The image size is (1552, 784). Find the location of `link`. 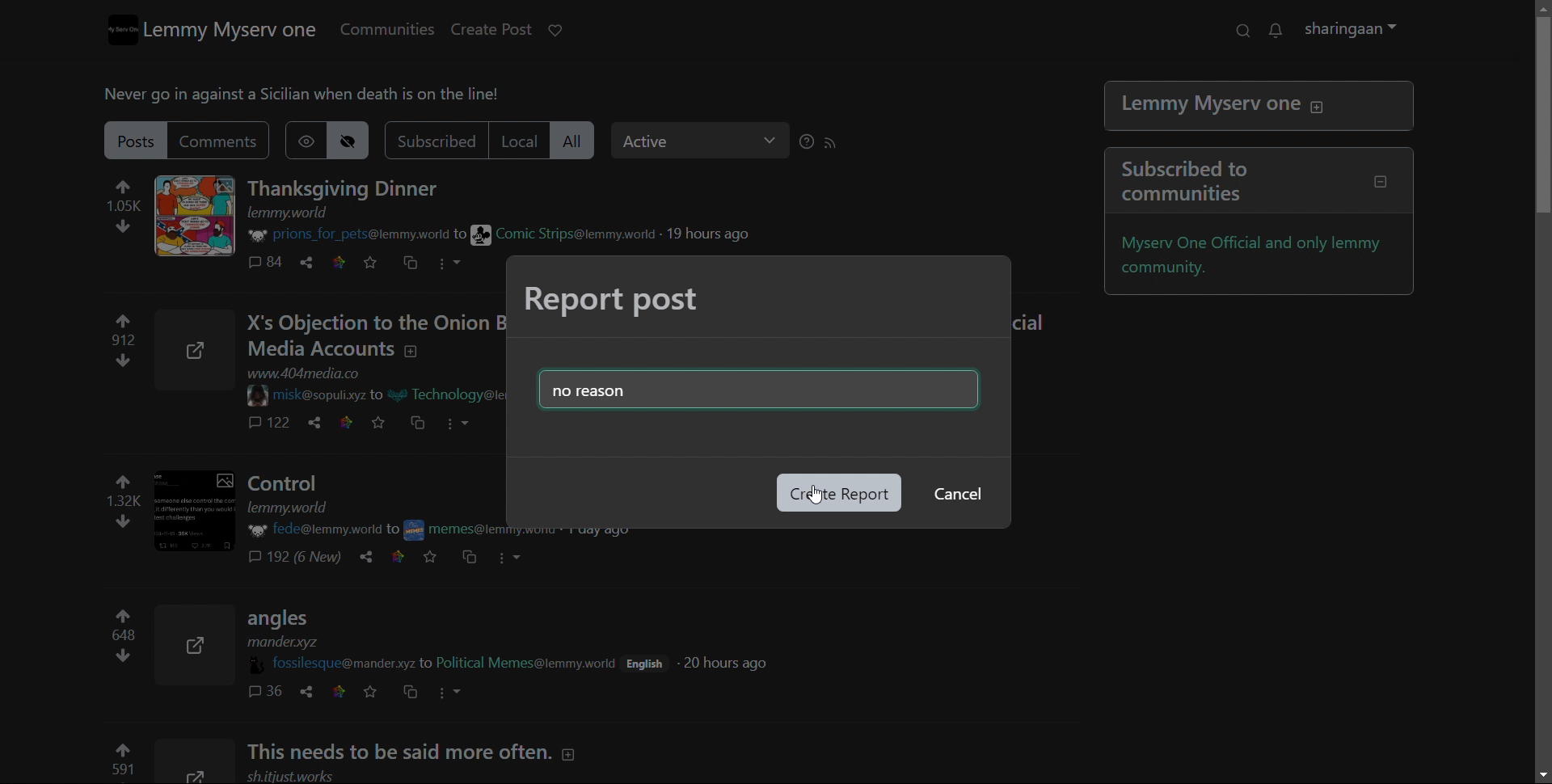

link is located at coordinates (346, 692).